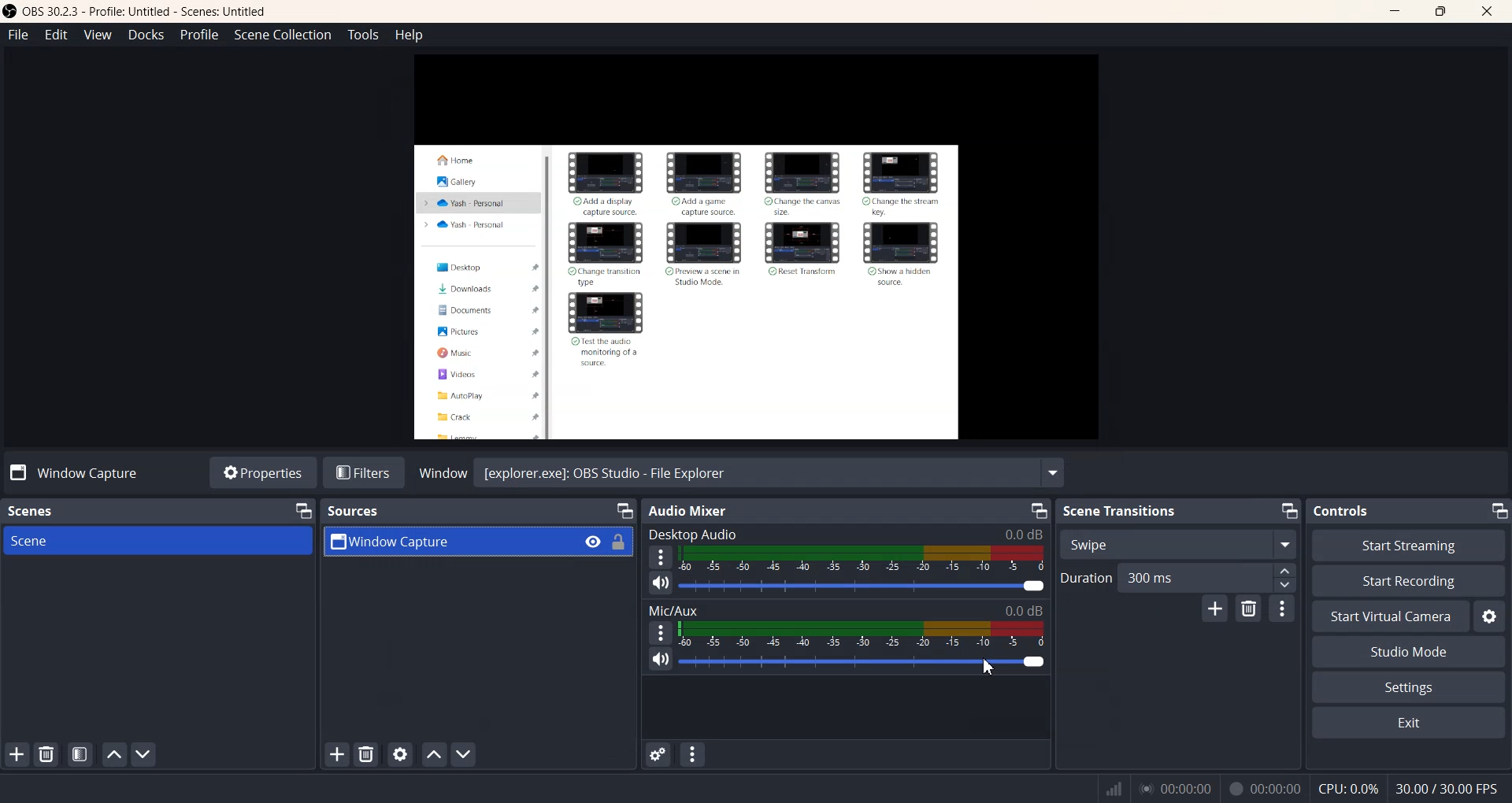 This screenshot has width=1512, height=803. Describe the element at coordinates (357, 511) in the screenshot. I see `Sources` at that location.